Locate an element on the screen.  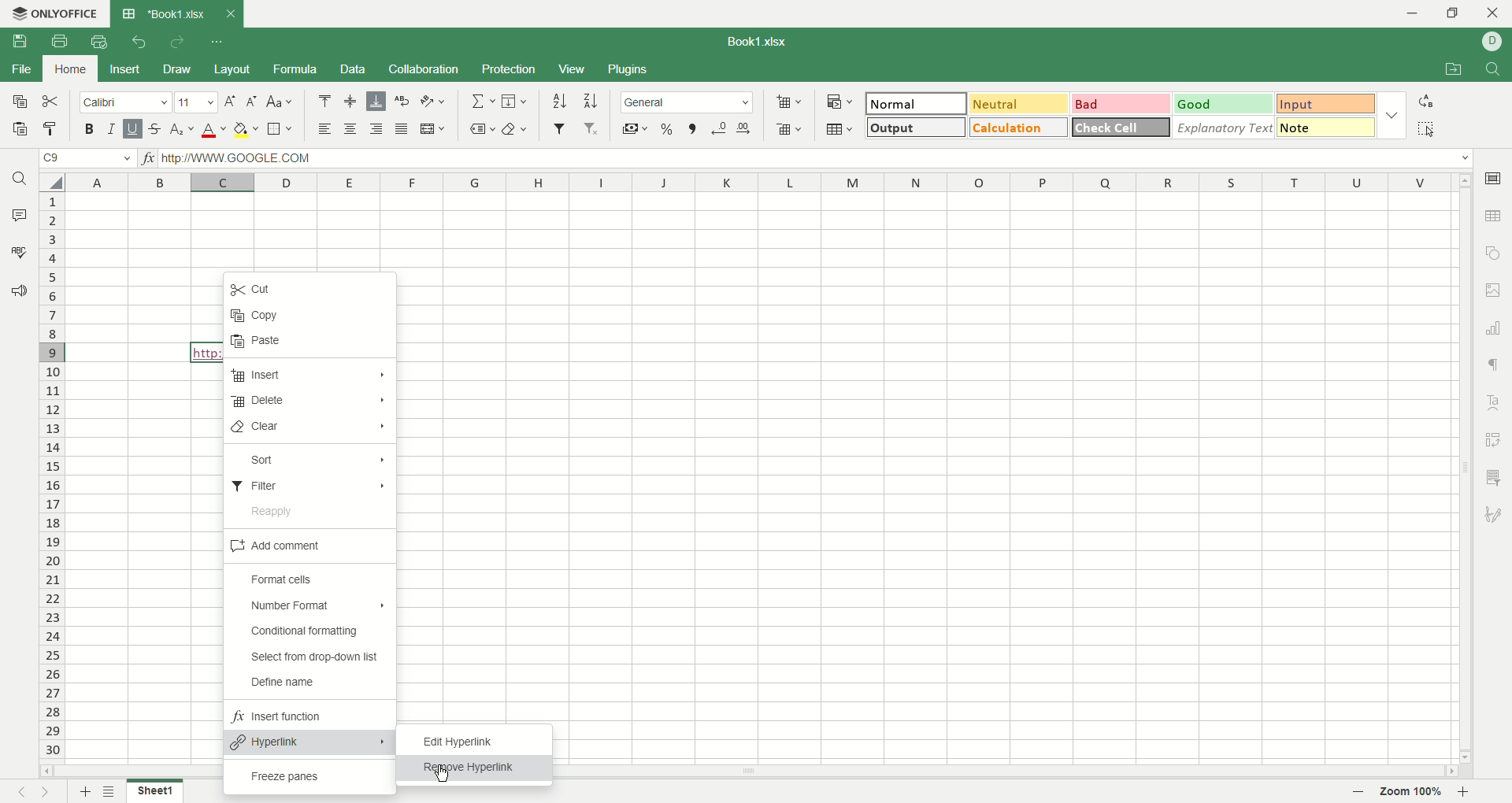
data is located at coordinates (354, 68).